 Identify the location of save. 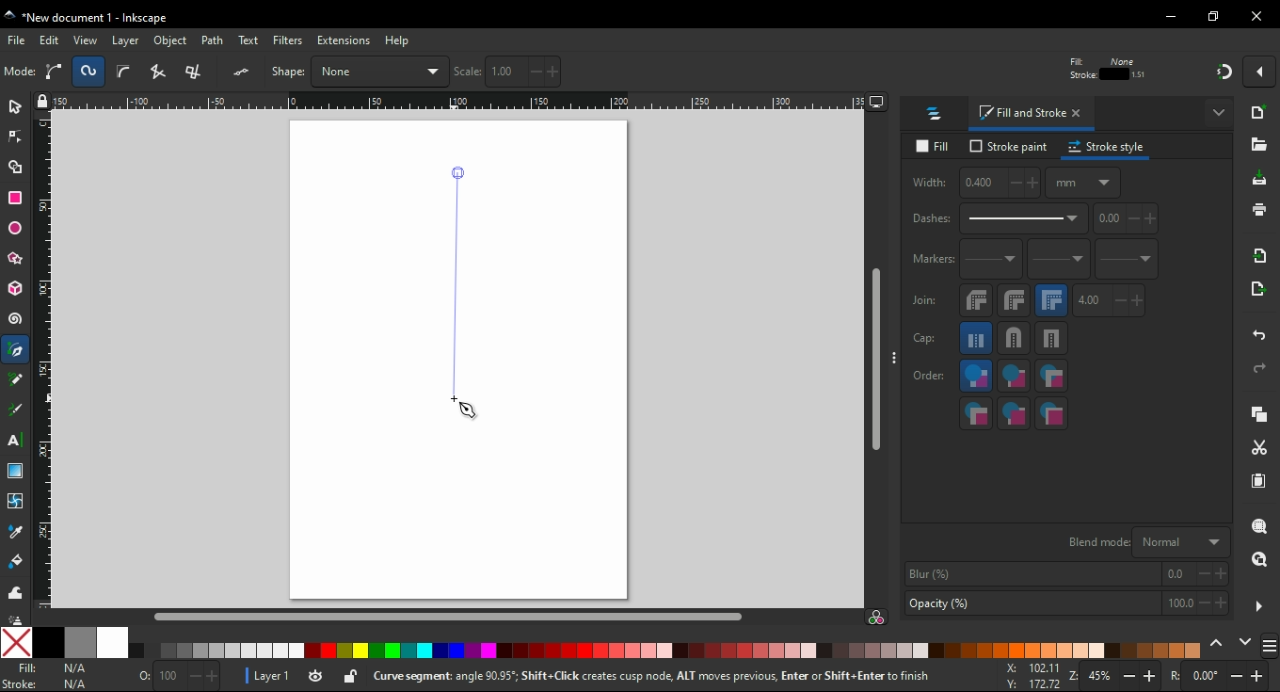
(1260, 179).